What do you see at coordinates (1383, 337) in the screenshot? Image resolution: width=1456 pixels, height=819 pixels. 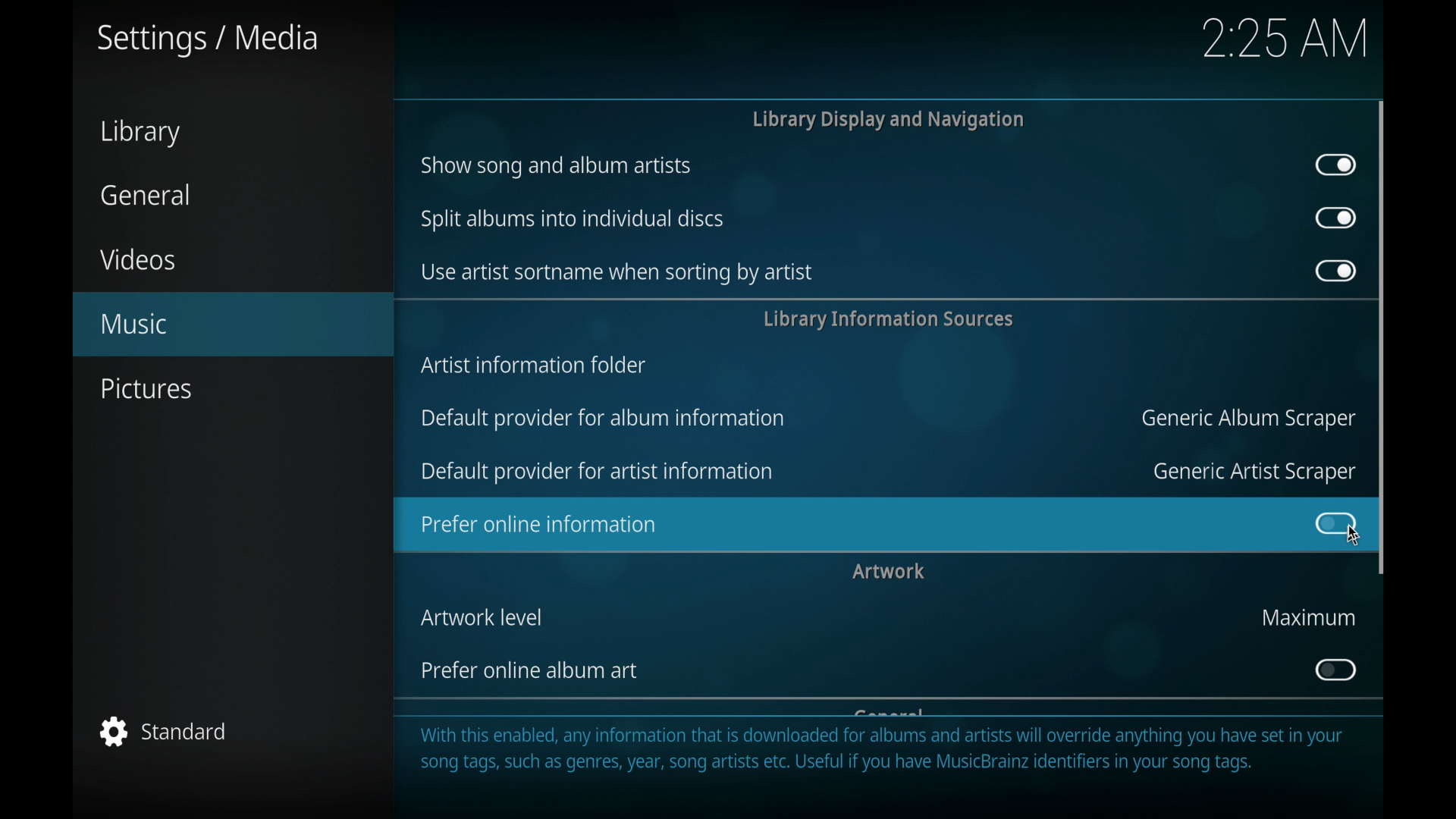 I see `scroll box` at bounding box center [1383, 337].